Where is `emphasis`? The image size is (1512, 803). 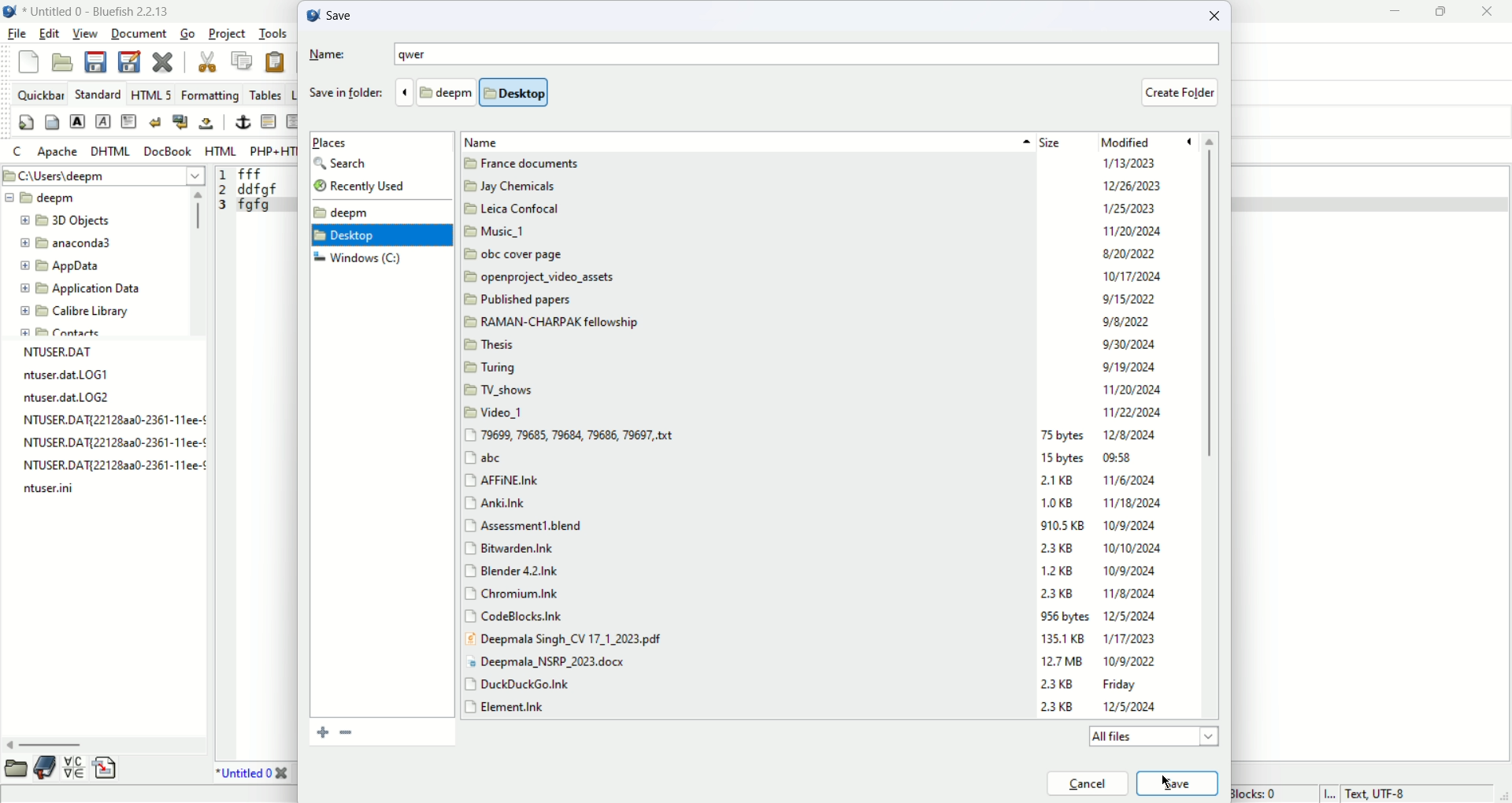
emphasis is located at coordinates (104, 122).